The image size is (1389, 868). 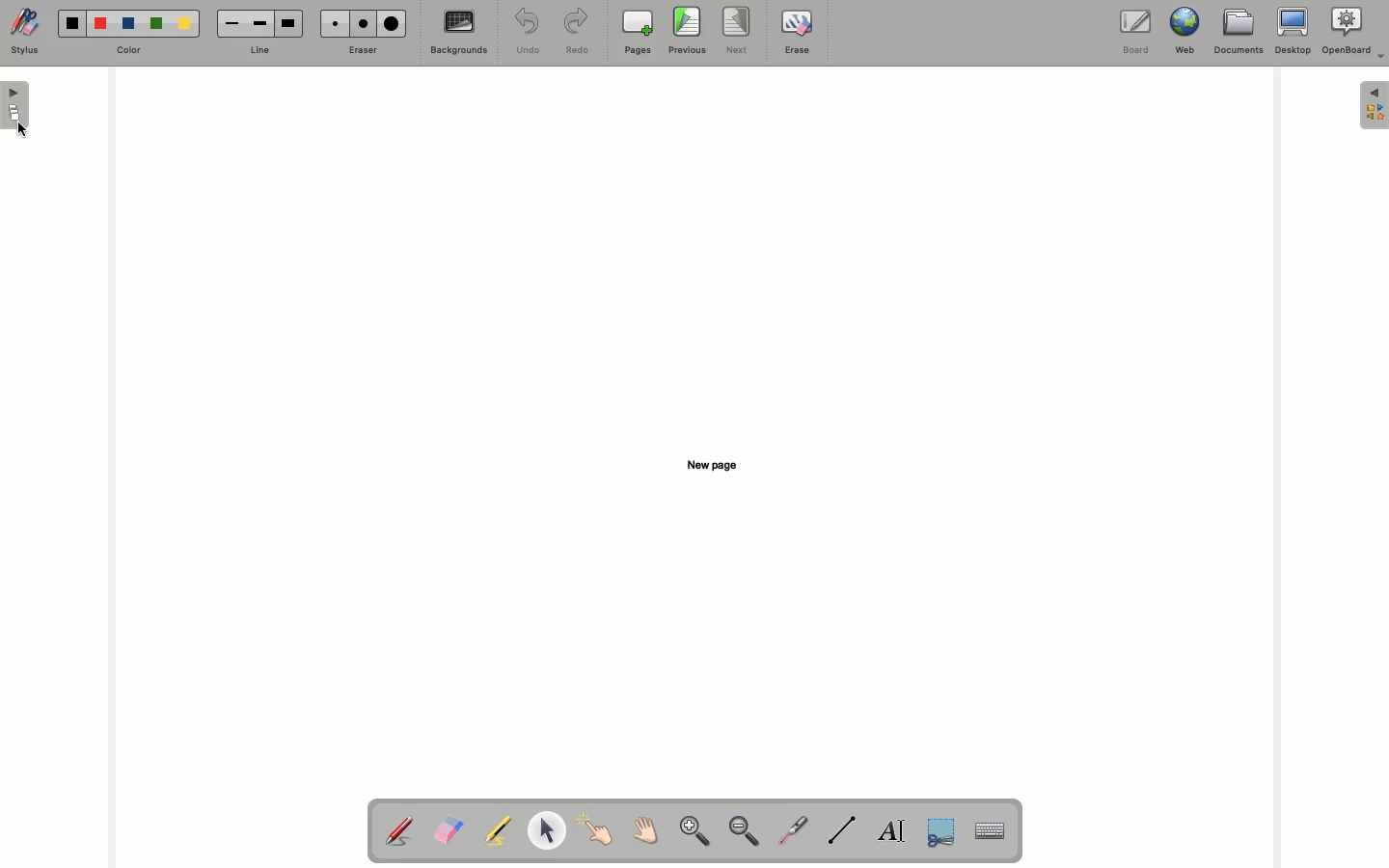 What do you see at coordinates (288, 24) in the screenshot?
I see `Large line` at bounding box center [288, 24].